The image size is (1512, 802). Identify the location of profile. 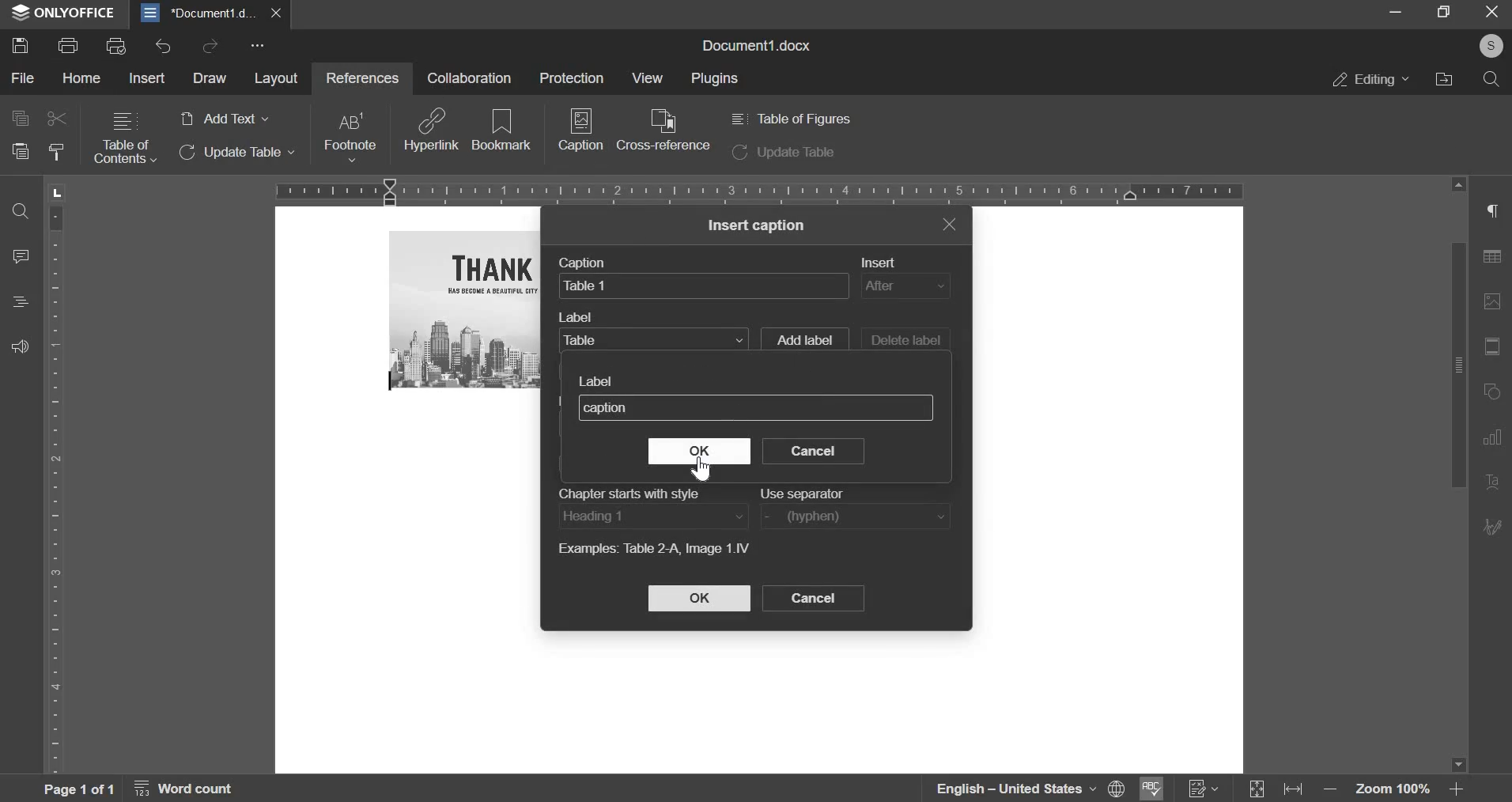
(1489, 47).